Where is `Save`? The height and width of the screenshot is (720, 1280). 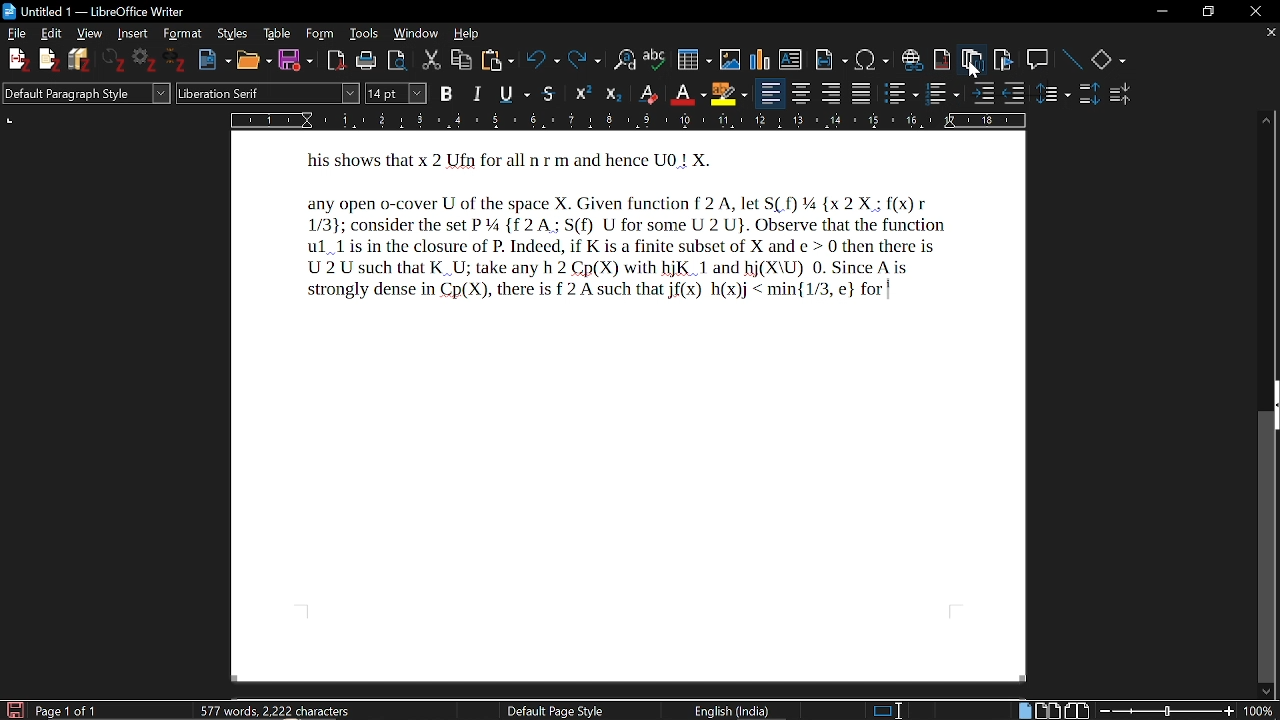 Save is located at coordinates (14, 709).